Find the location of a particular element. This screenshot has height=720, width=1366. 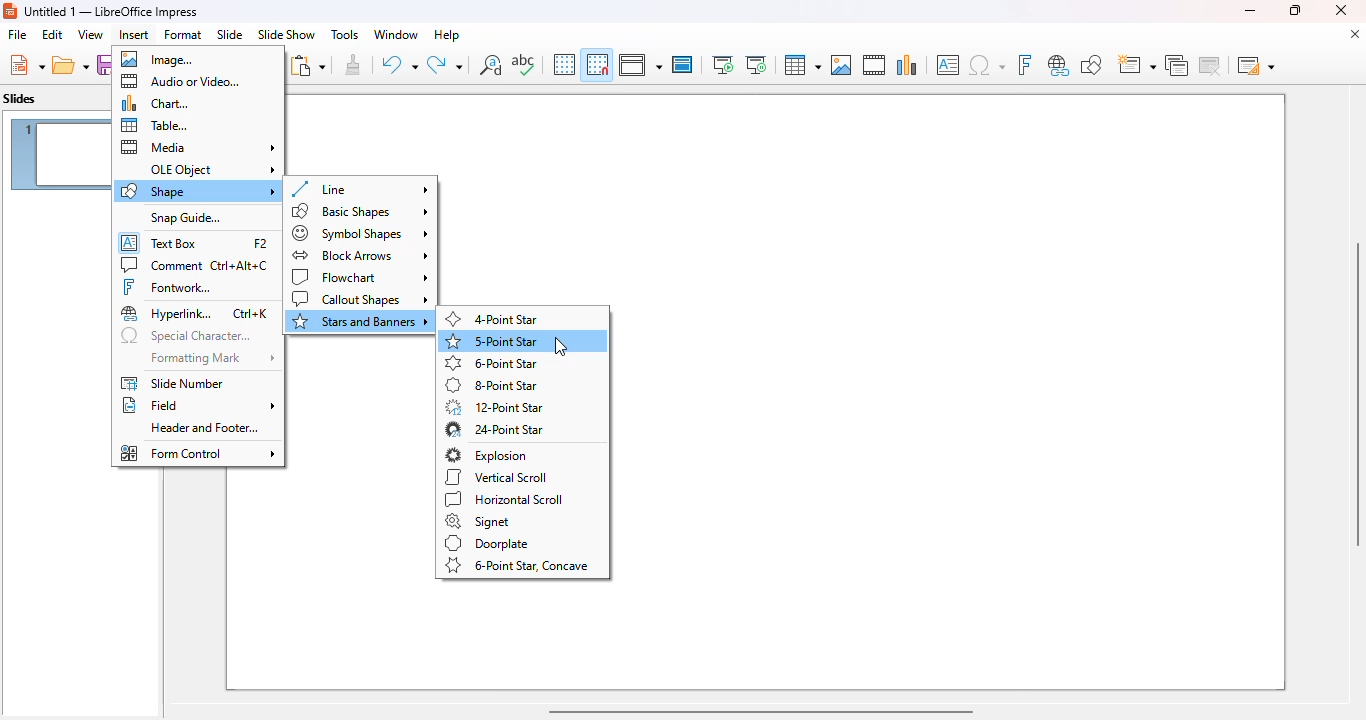

insert chart is located at coordinates (907, 64).